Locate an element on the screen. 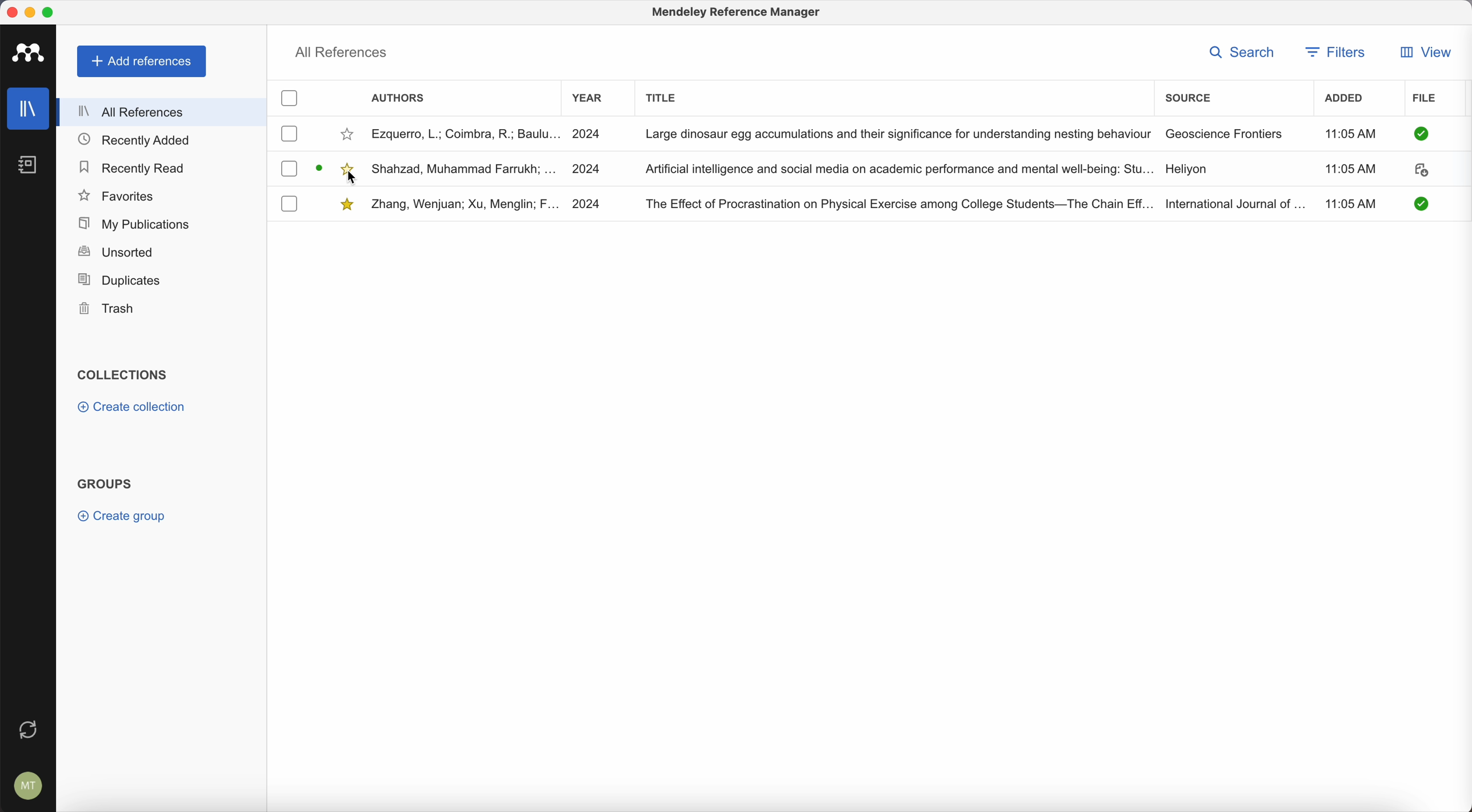 This screenshot has height=812, width=1472. add references is located at coordinates (142, 62).